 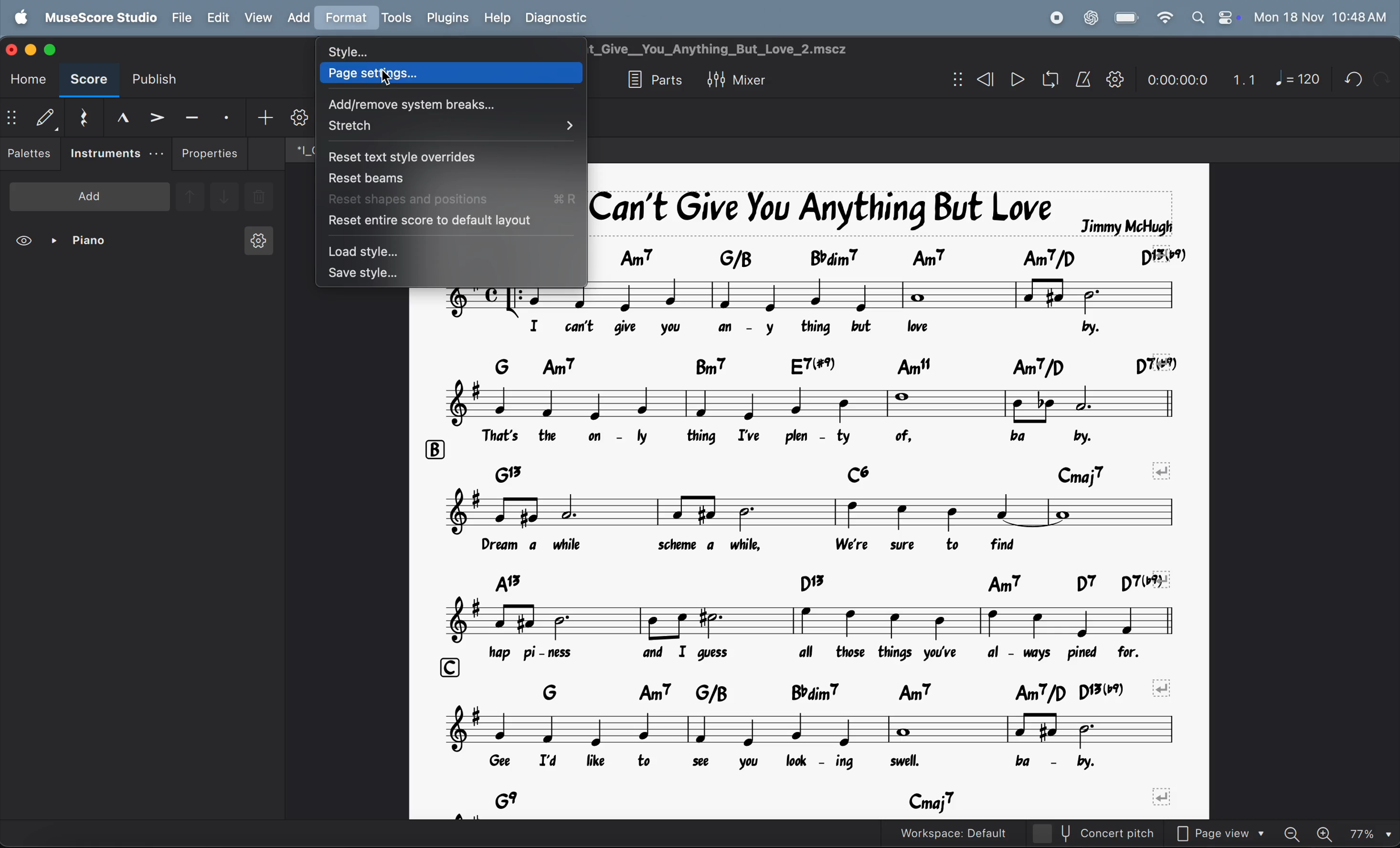 What do you see at coordinates (755, 470) in the screenshot?
I see `chord symbols` at bounding box center [755, 470].